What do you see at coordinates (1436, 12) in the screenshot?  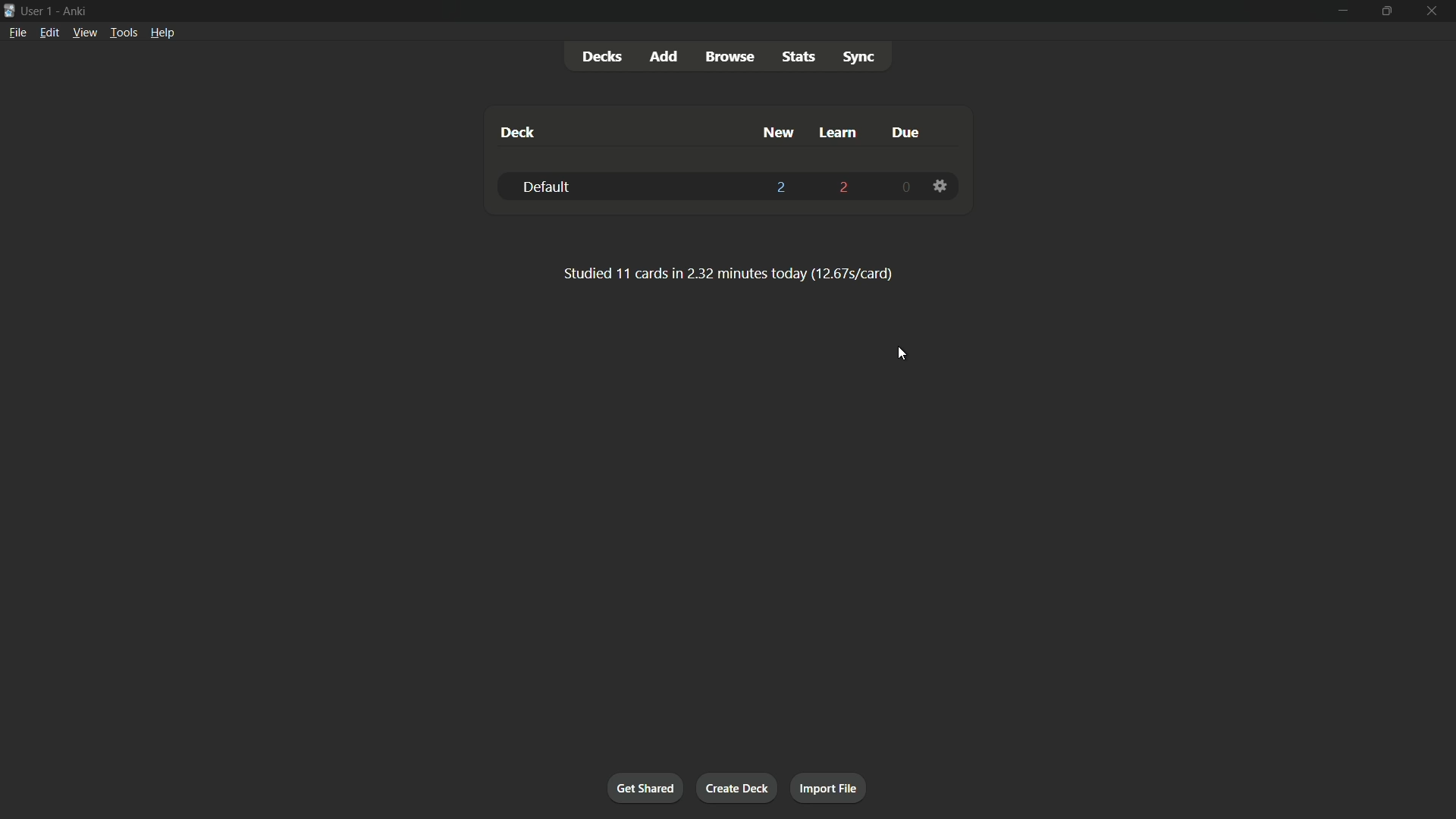 I see `close app` at bounding box center [1436, 12].